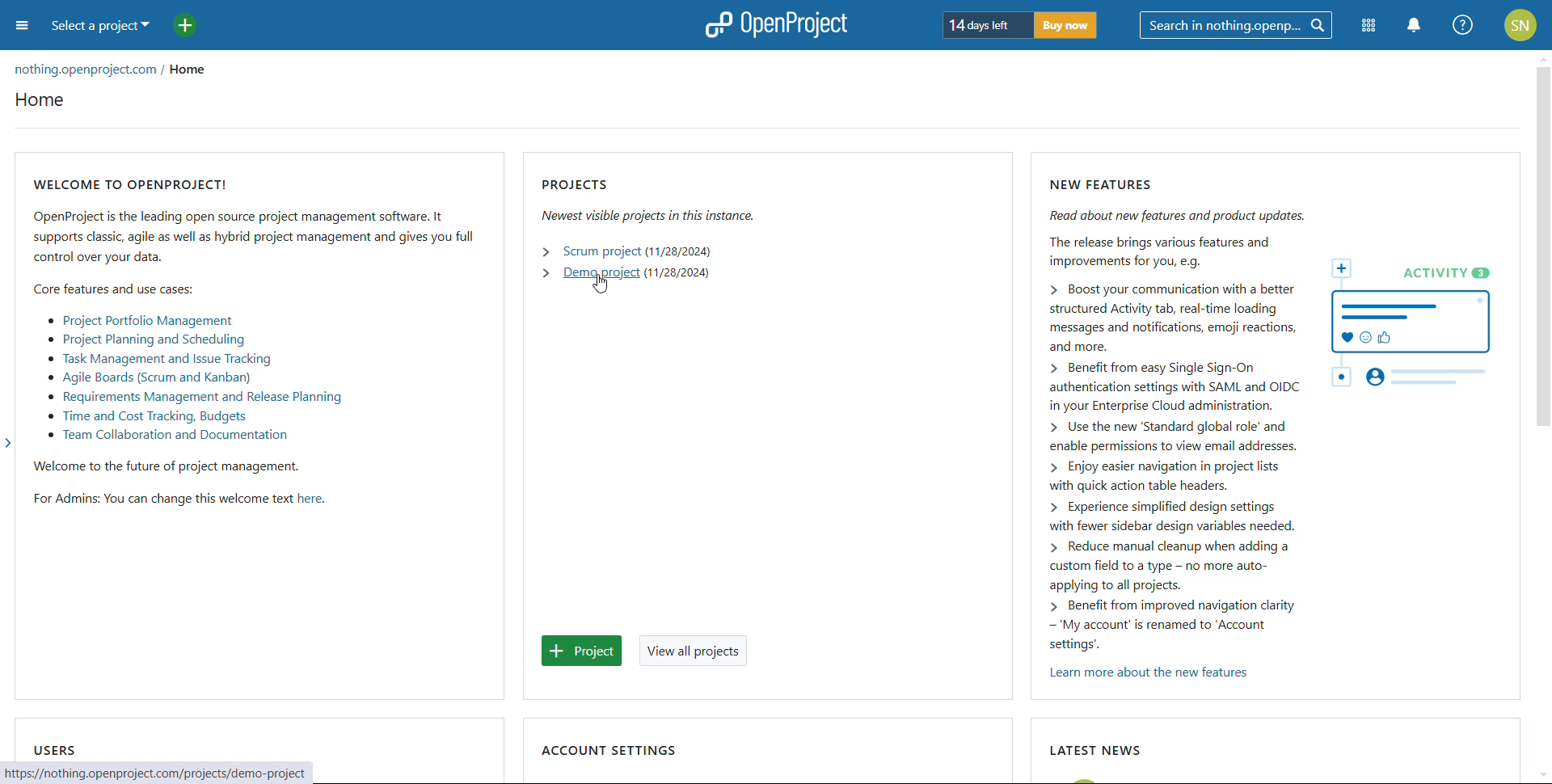 The height and width of the screenshot is (784, 1552). What do you see at coordinates (146, 417) in the screenshot?
I see `time and cost tracking, budgets` at bounding box center [146, 417].